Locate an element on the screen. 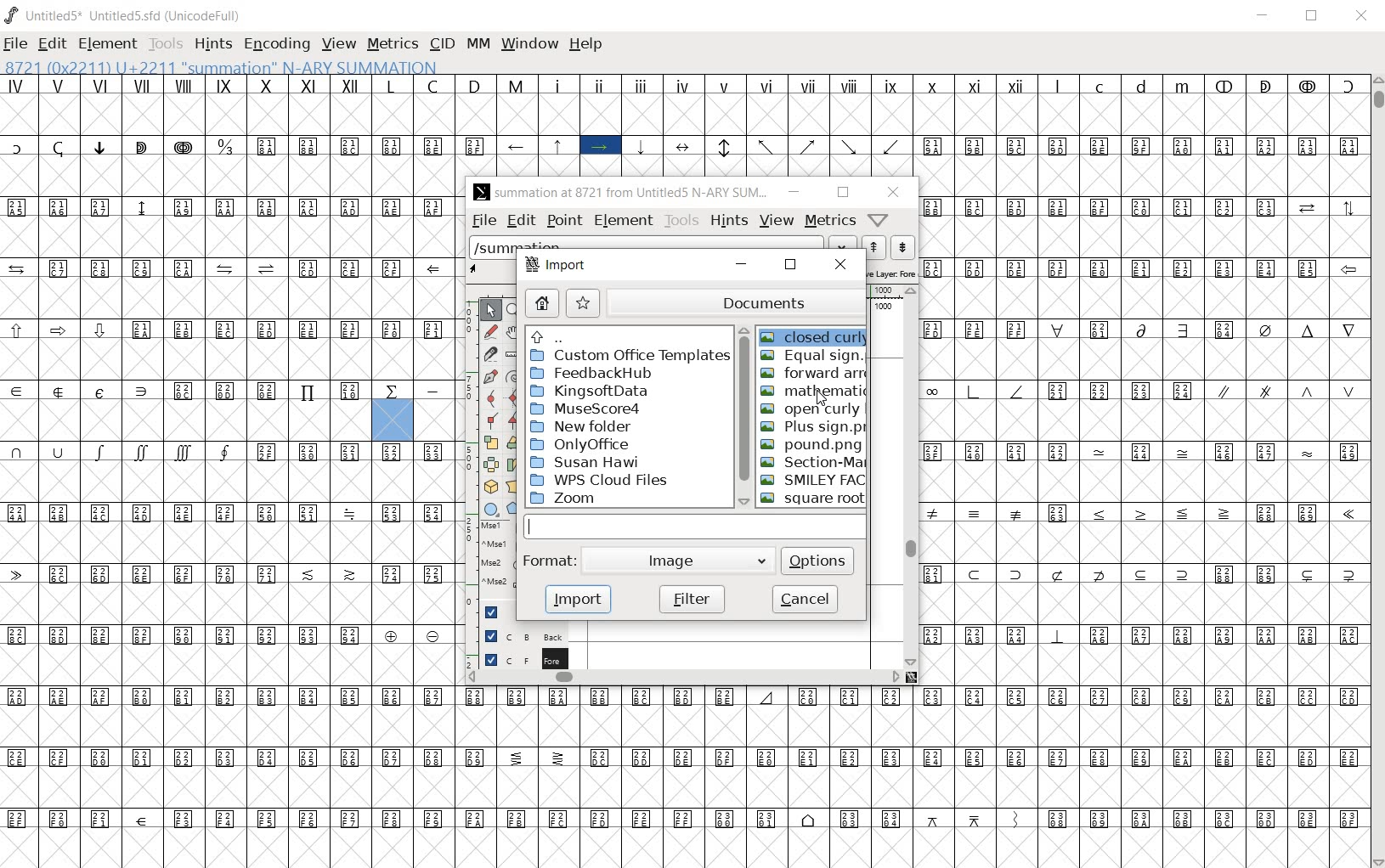 The width and height of the screenshot is (1385, 868). CID is located at coordinates (440, 44).